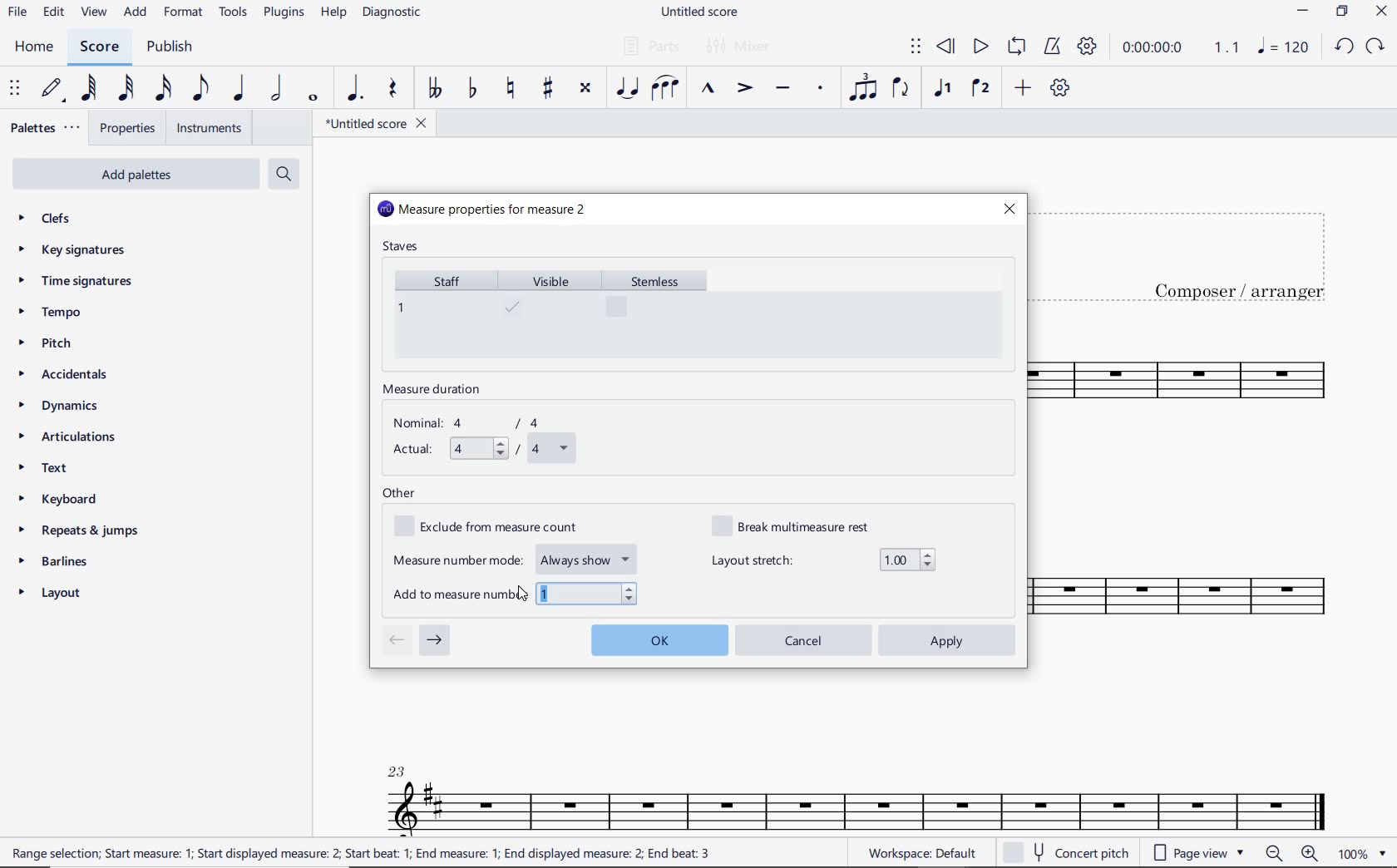  Describe the element at coordinates (357, 89) in the screenshot. I see `AUGMENTATION DOT` at that location.